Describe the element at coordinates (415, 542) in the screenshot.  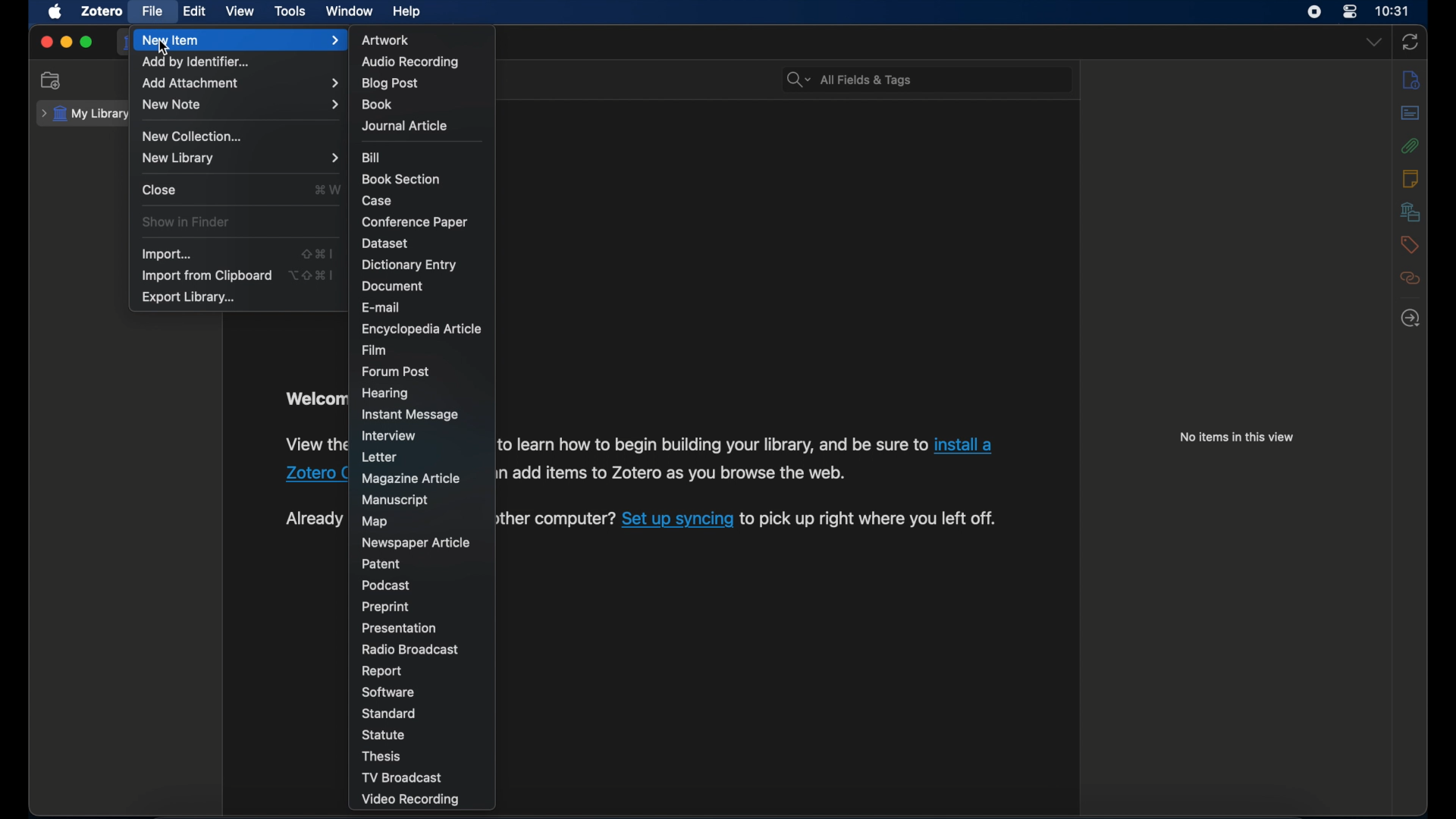
I see `newspaper article` at that location.